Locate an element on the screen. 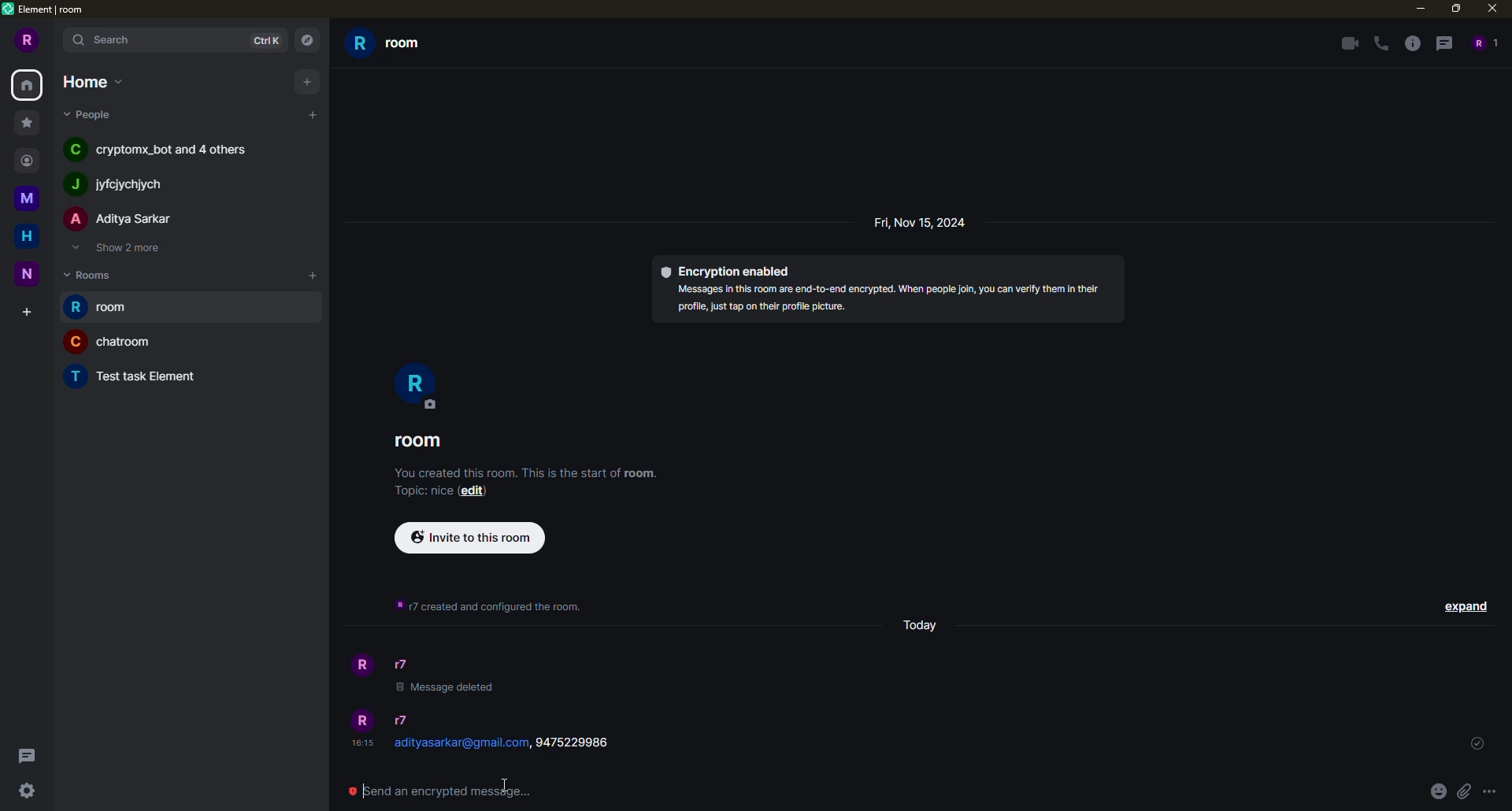 The image size is (1512, 811). profile is located at coordinates (419, 391).